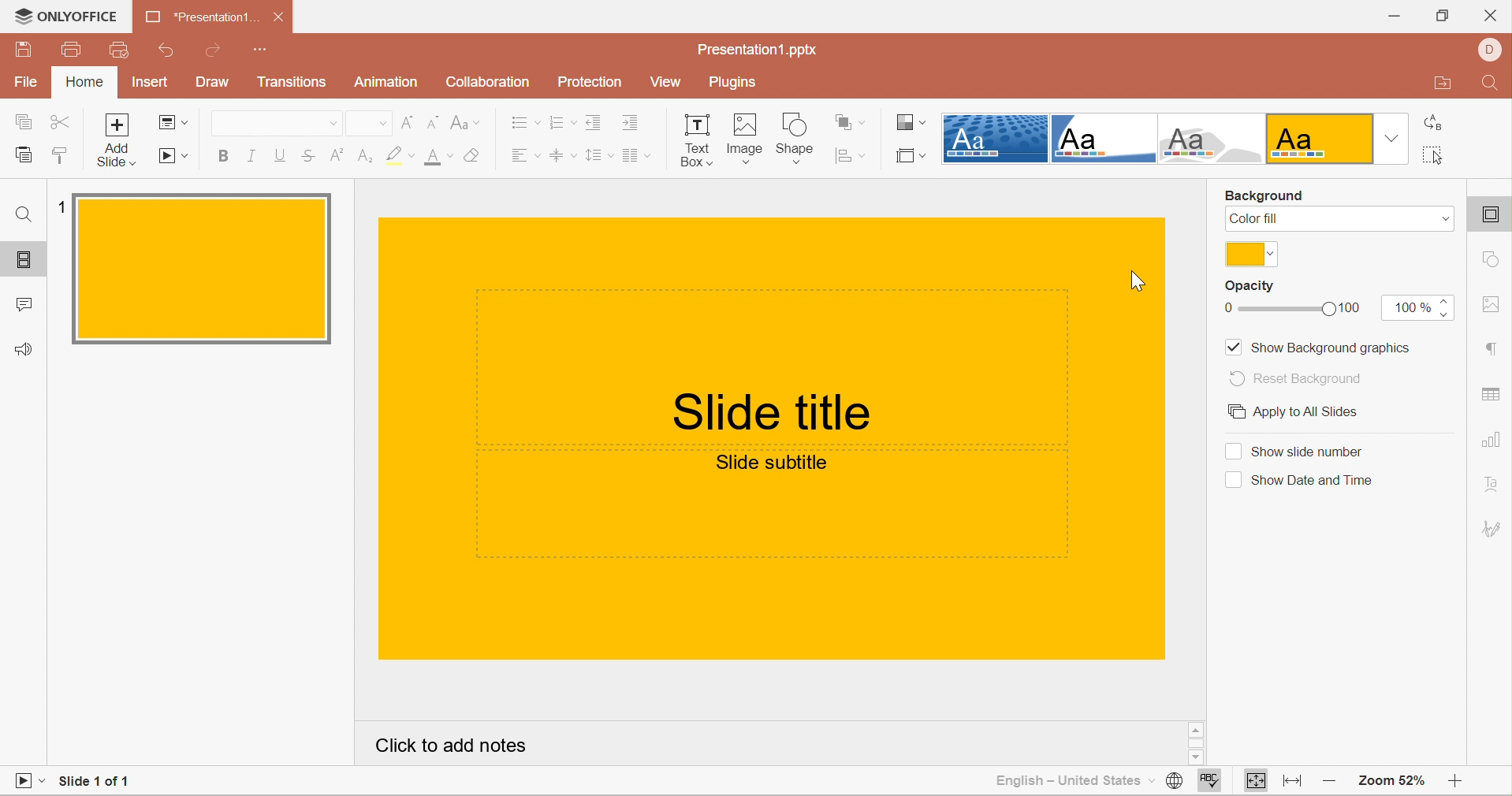 This screenshot has width=1512, height=796. I want to click on Office theme, so click(1320, 139).